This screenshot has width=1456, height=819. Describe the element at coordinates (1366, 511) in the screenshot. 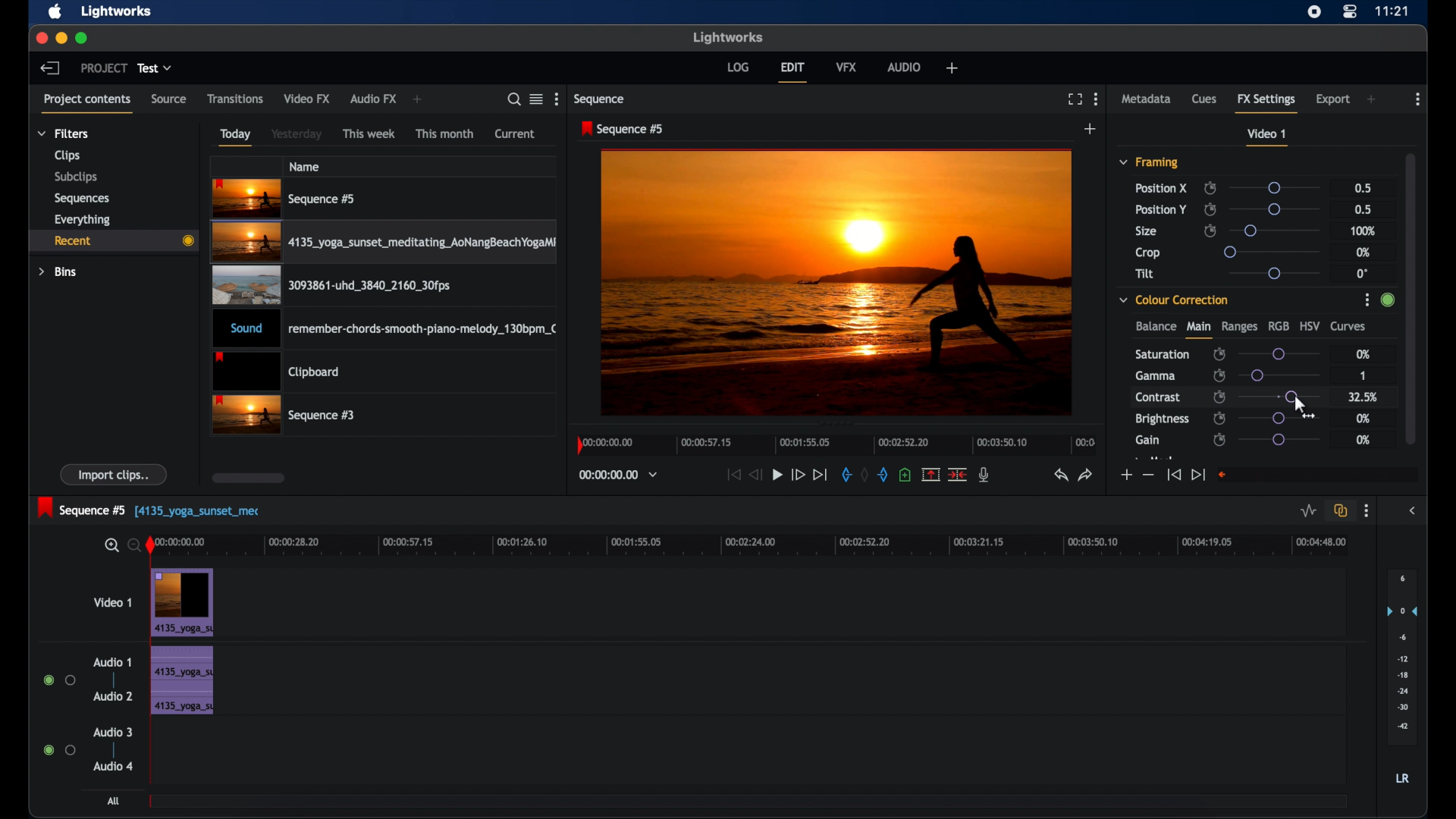

I see `more options` at that location.